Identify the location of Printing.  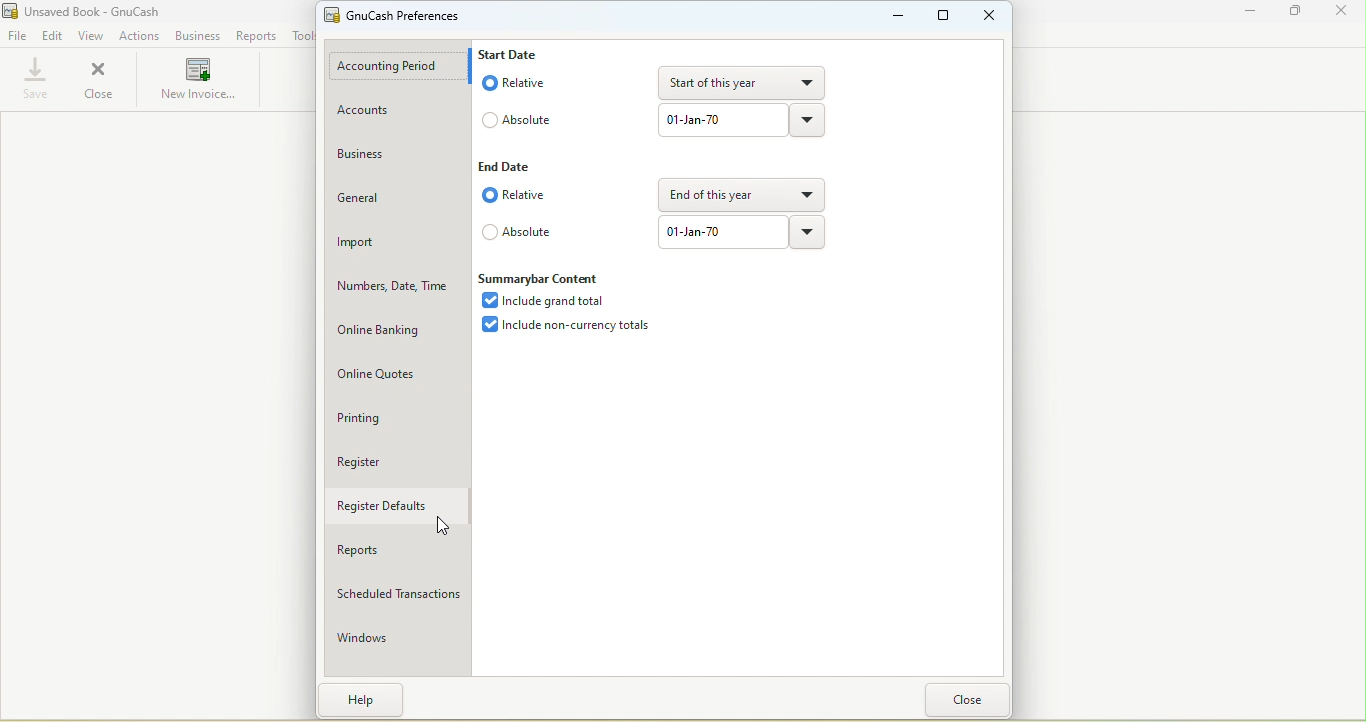
(396, 421).